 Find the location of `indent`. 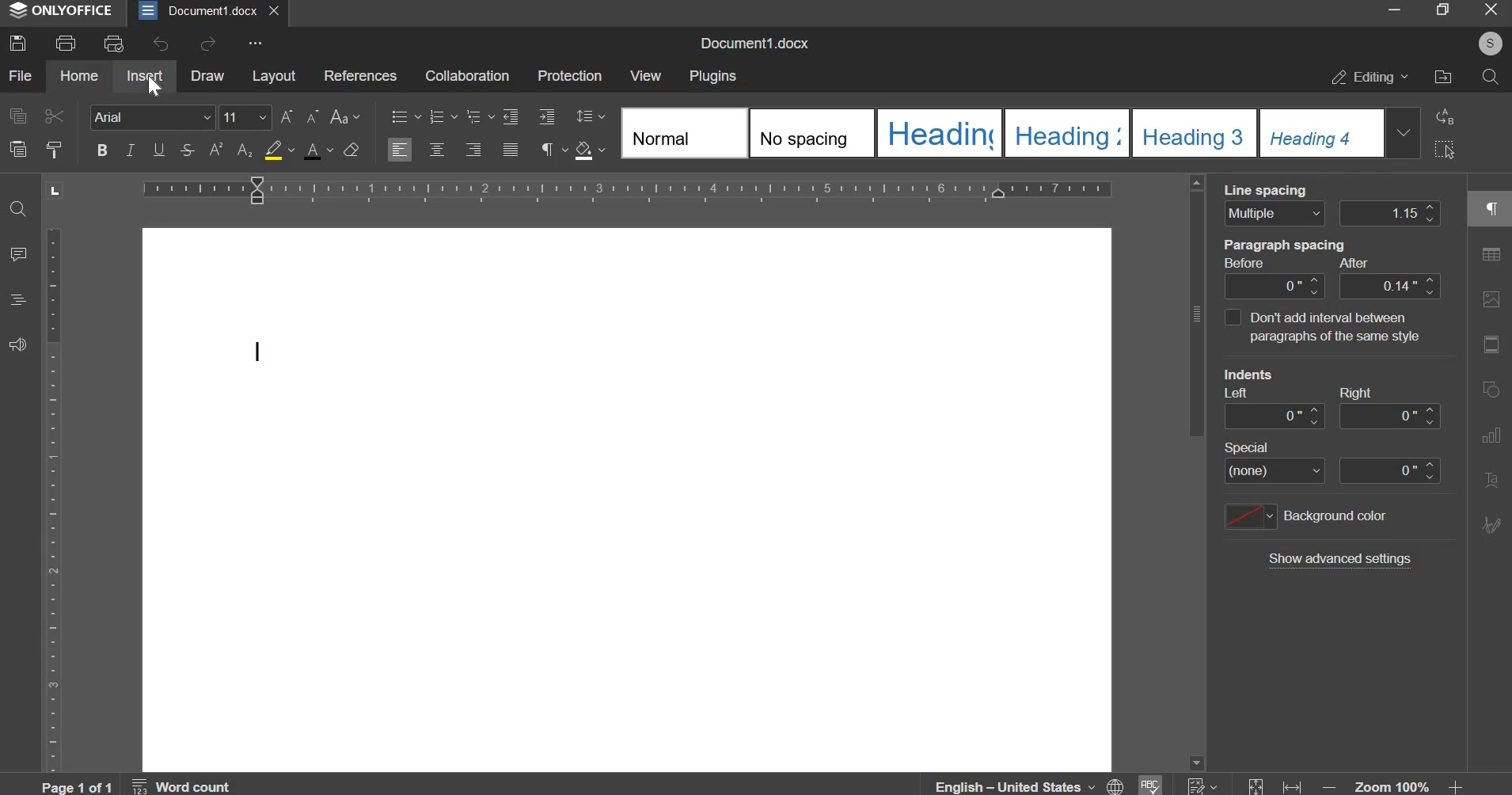

indent is located at coordinates (1331, 415).